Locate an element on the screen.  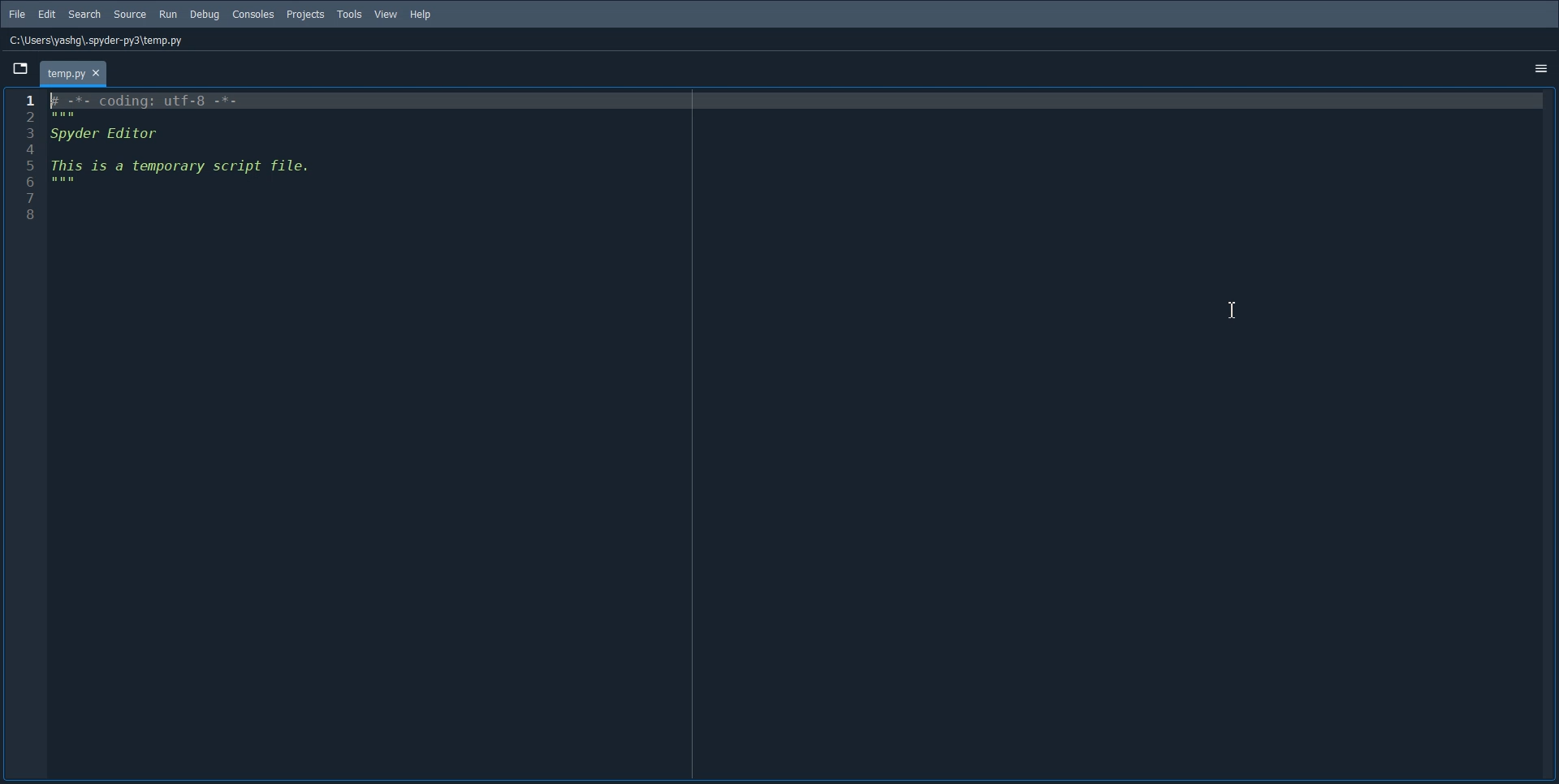
Edit is located at coordinates (46, 14).